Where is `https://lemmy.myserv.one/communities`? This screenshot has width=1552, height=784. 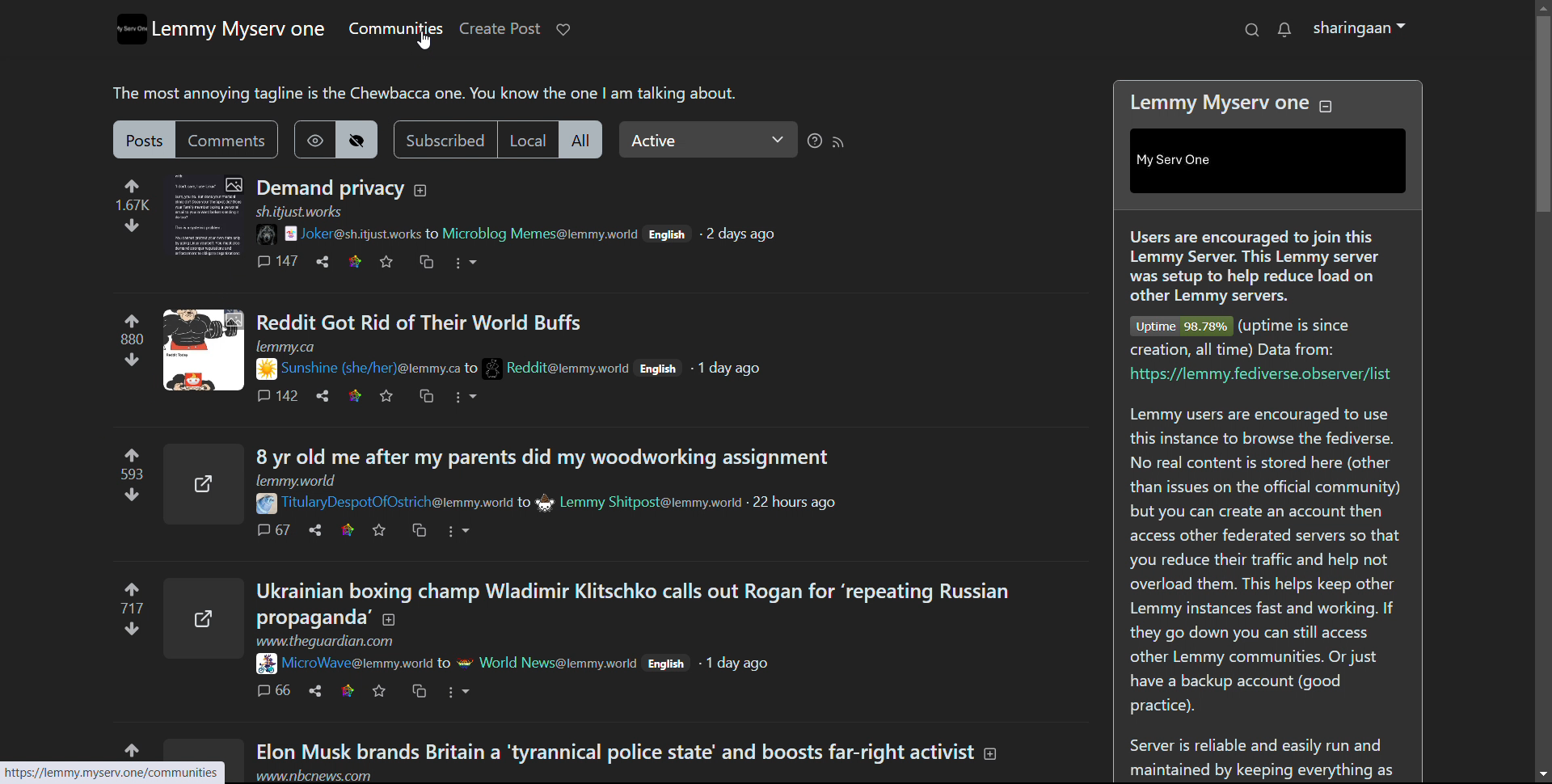 https://lemmy.myserv.one/communities is located at coordinates (118, 773).